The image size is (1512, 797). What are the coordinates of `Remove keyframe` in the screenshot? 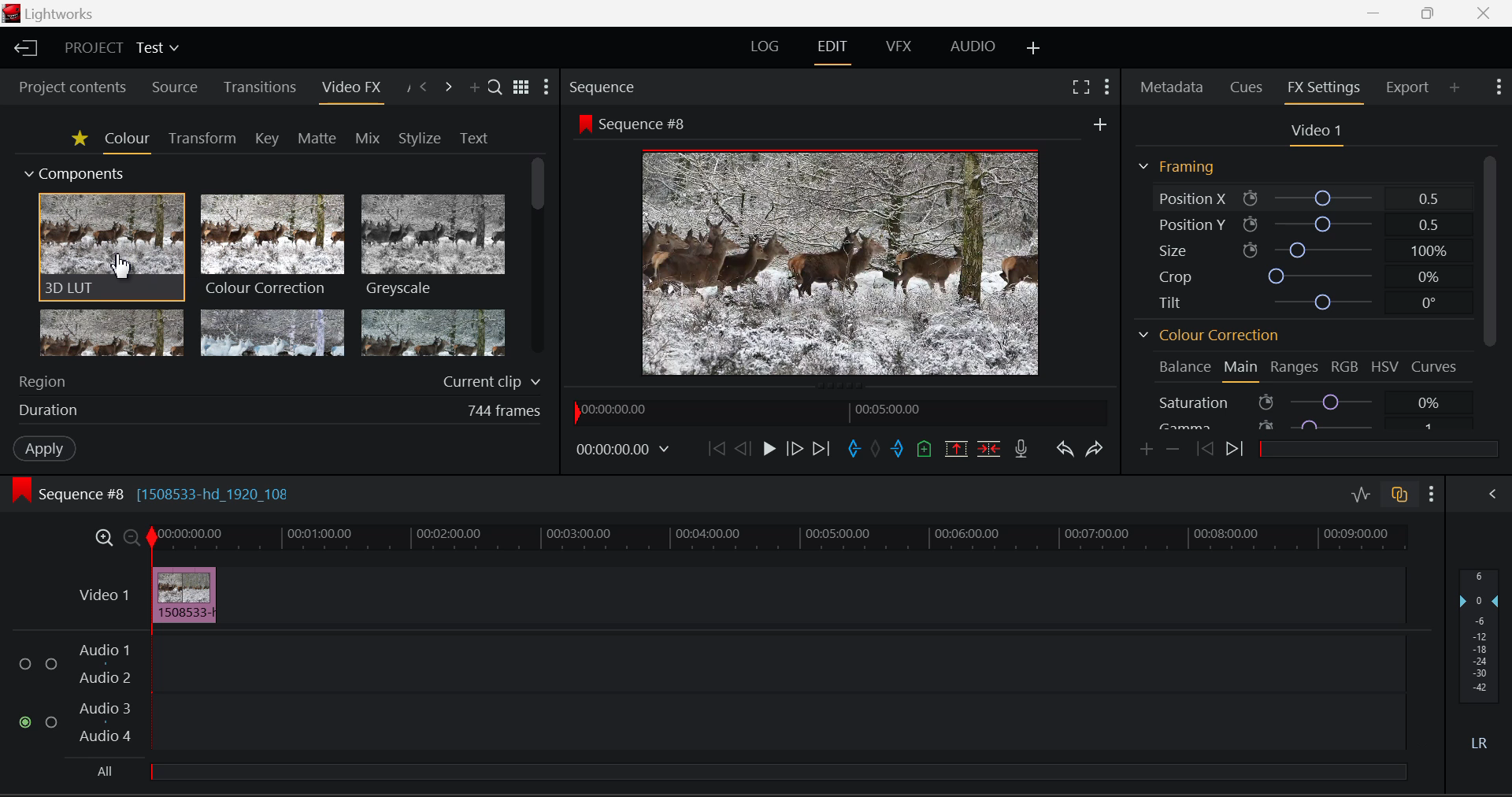 It's located at (1173, 452).